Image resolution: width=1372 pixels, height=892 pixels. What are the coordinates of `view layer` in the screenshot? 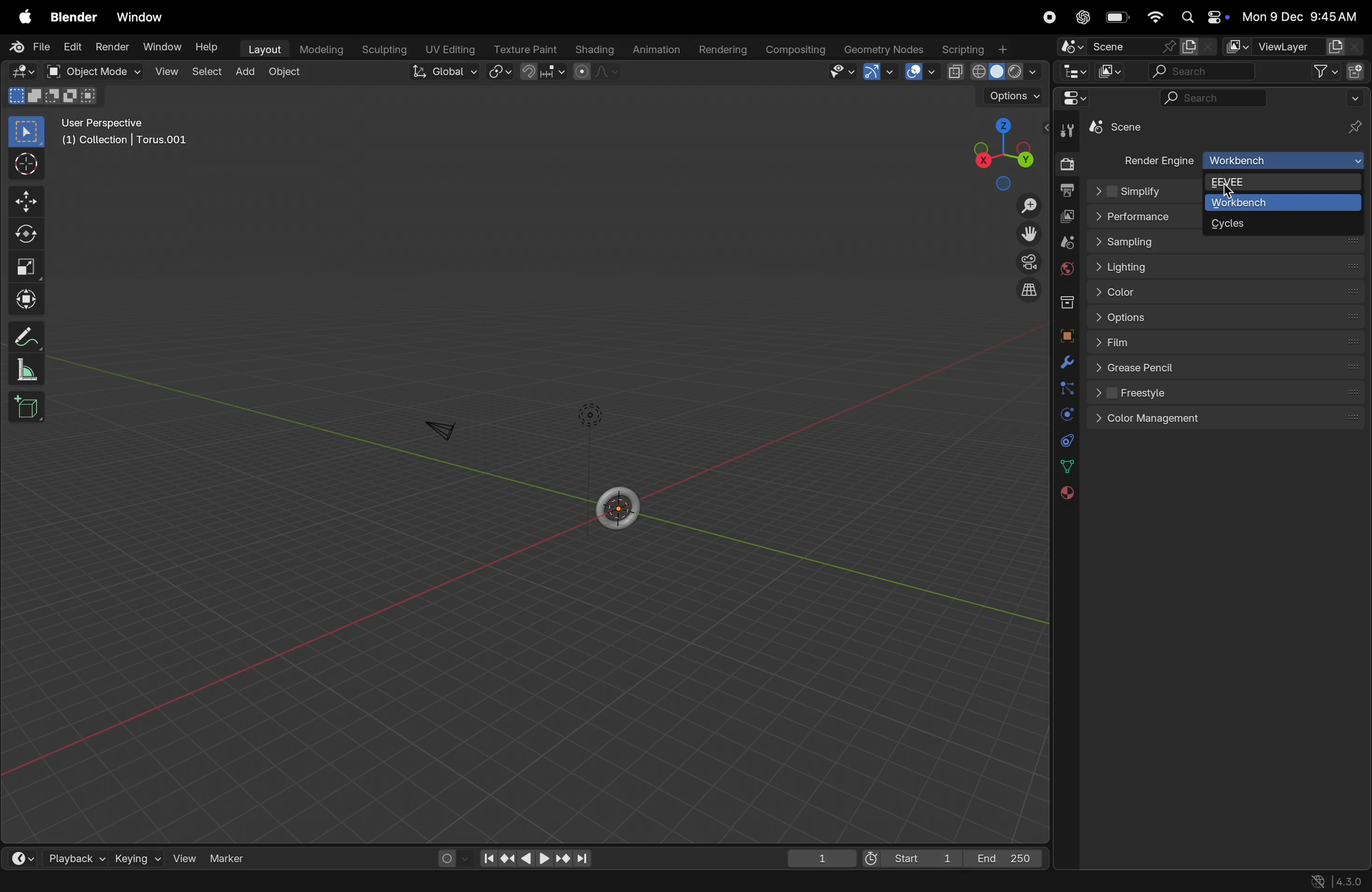 It's located at (1067, 216).